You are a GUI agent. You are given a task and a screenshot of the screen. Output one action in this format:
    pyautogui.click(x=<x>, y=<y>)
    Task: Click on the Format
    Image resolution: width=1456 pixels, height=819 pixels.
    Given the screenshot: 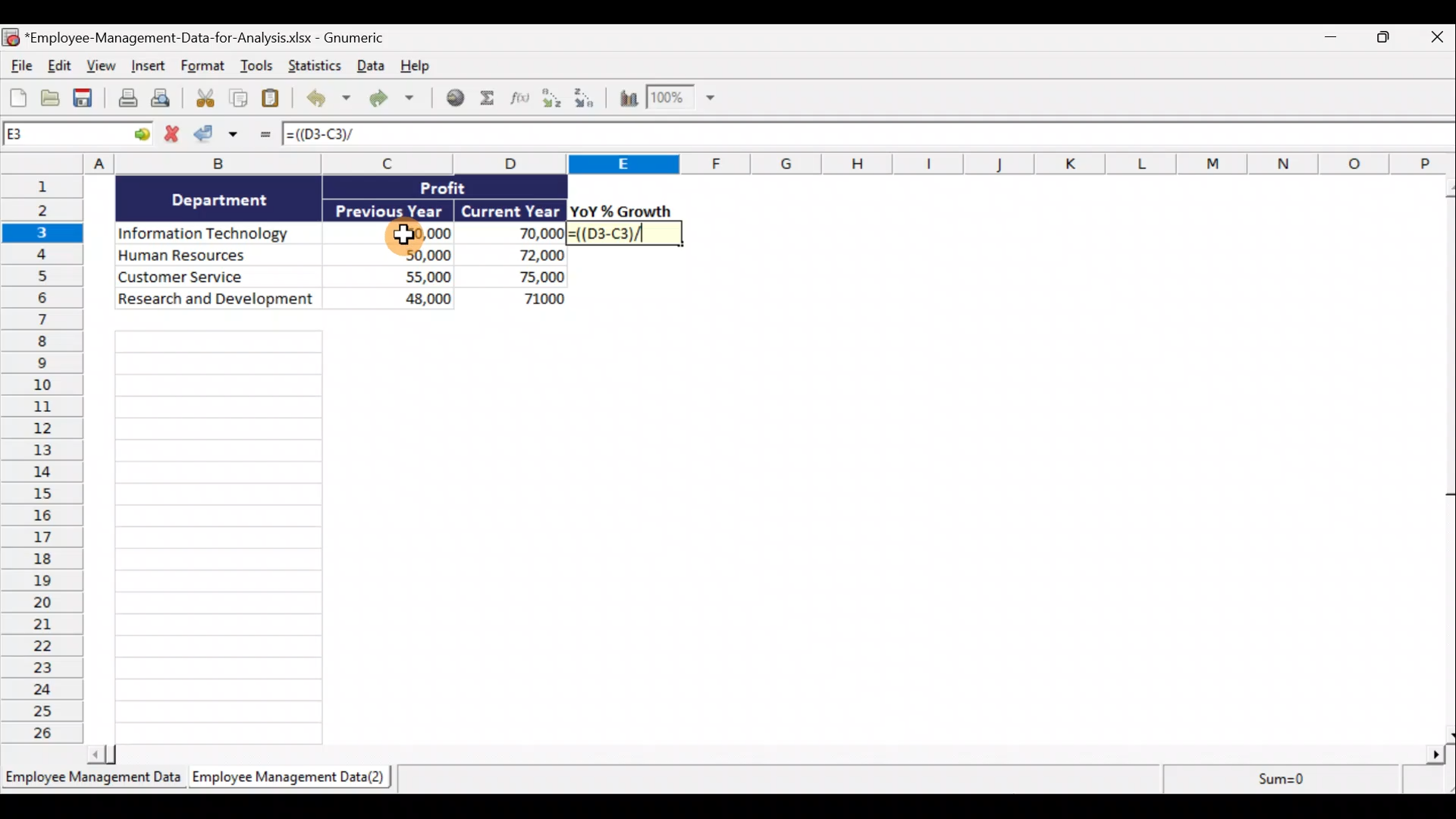 What is the action you would take?
    pyautogui.click(x=204, y=67)
    